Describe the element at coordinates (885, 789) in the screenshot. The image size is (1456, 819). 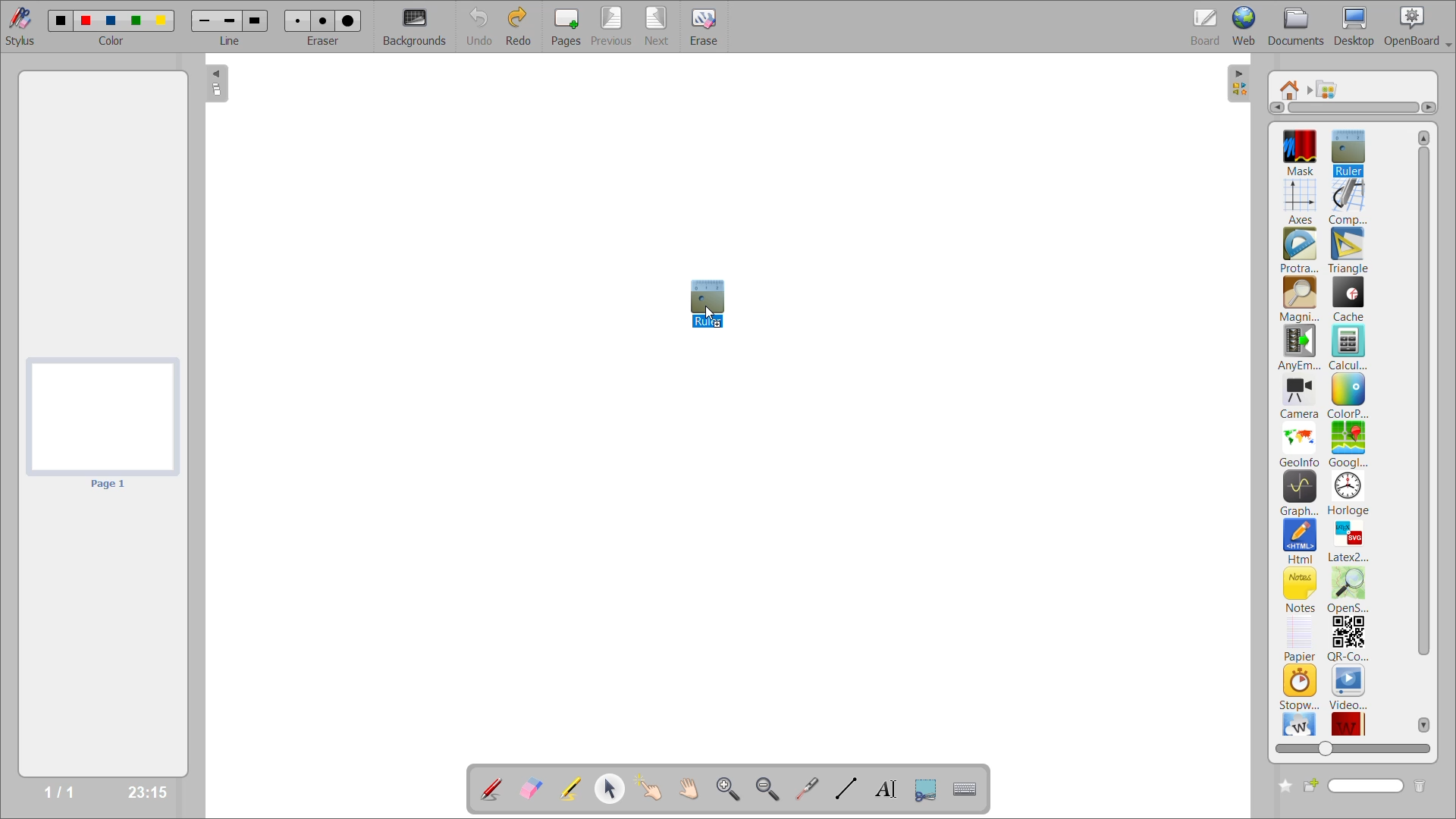
I see `write text` at that location.